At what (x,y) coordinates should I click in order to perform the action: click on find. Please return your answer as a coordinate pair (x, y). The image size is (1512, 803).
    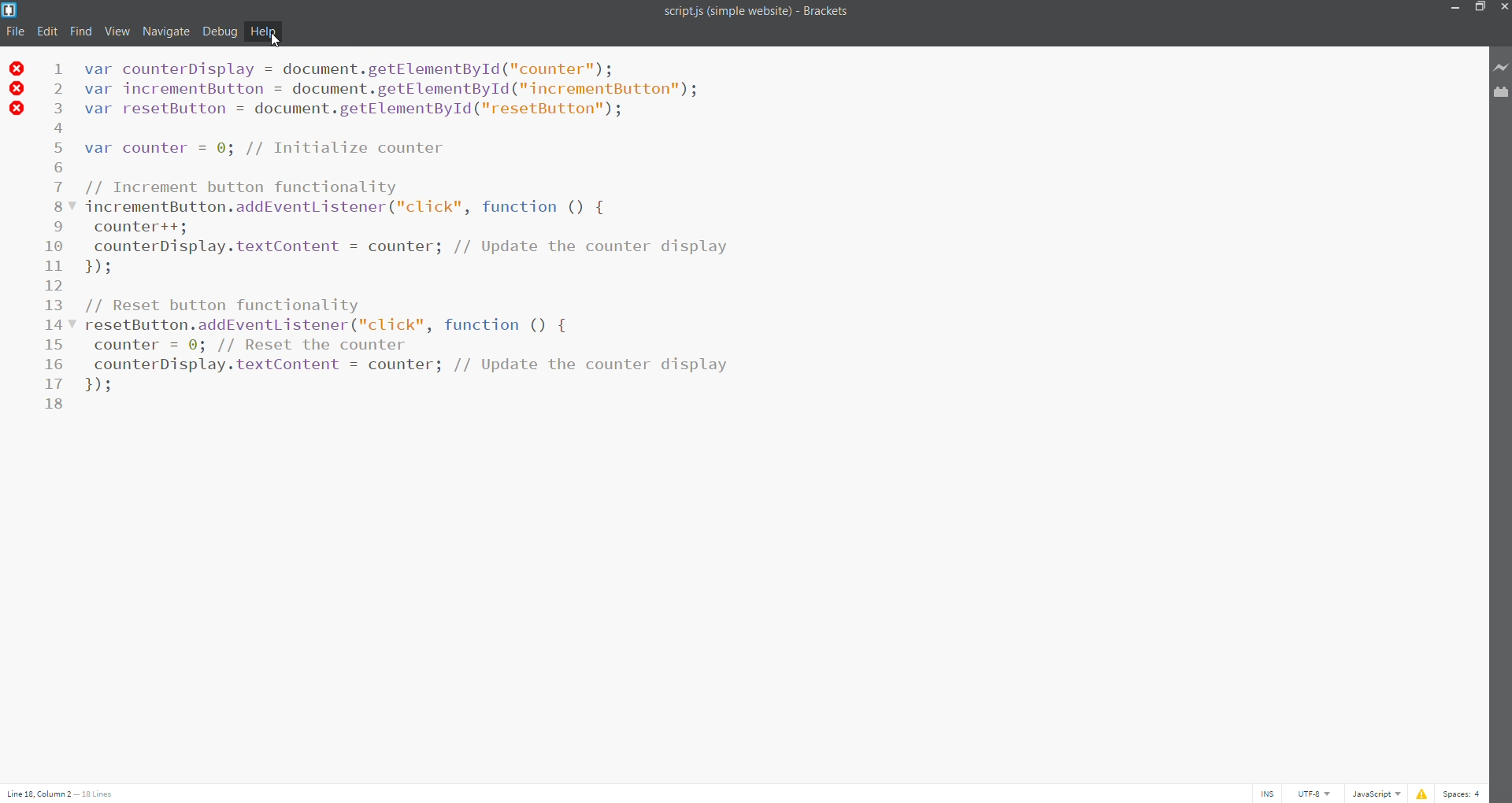
    Looking at the image, I should click on (82, 31).